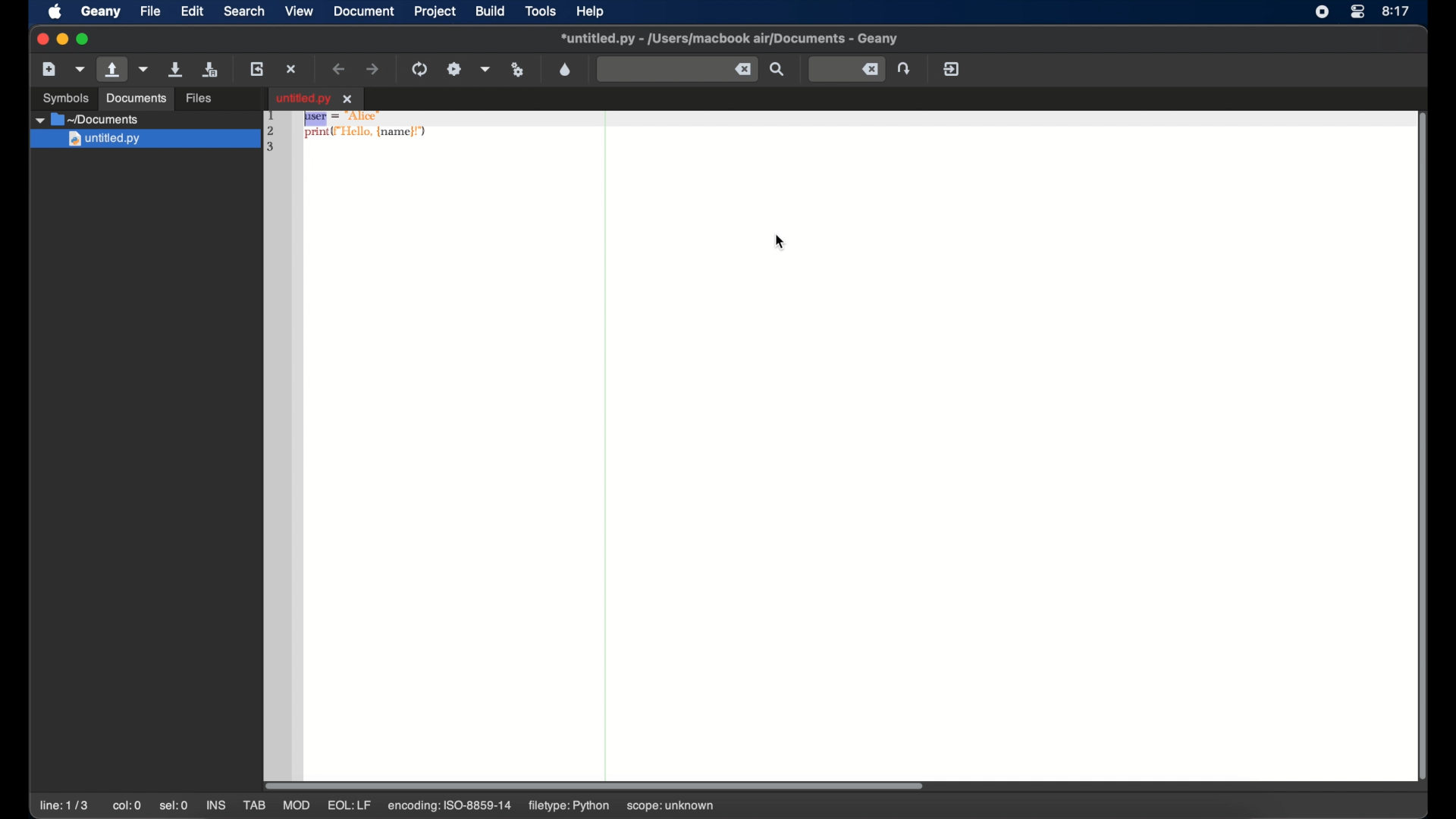 The image size is (1456, 819). What do you see at coordinates (144, 69) in the screenshot?
I see `open a recent file` at bounding box center [144, 69].